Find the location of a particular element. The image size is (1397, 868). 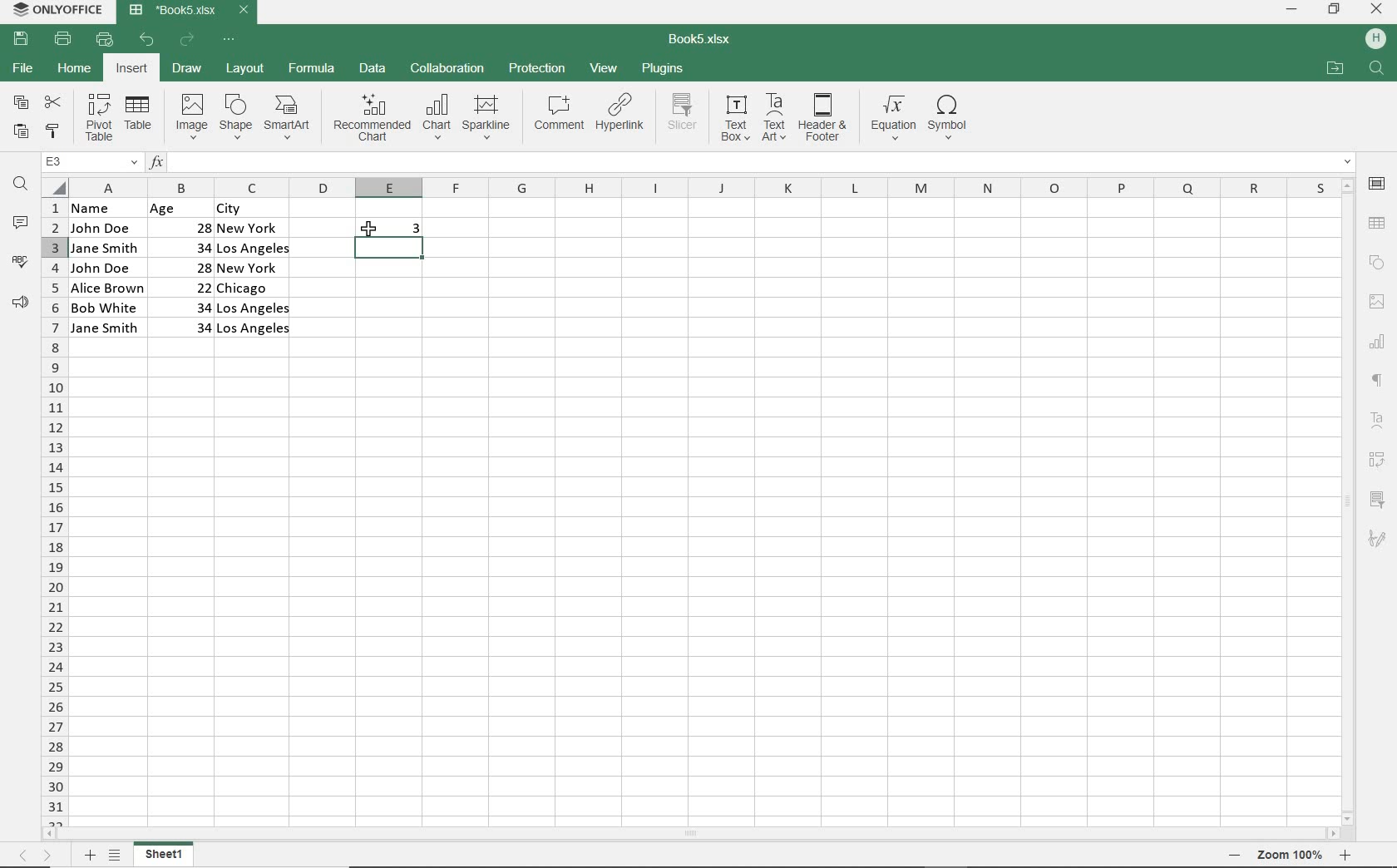

TABLE is located at coordinates (1378, 224).